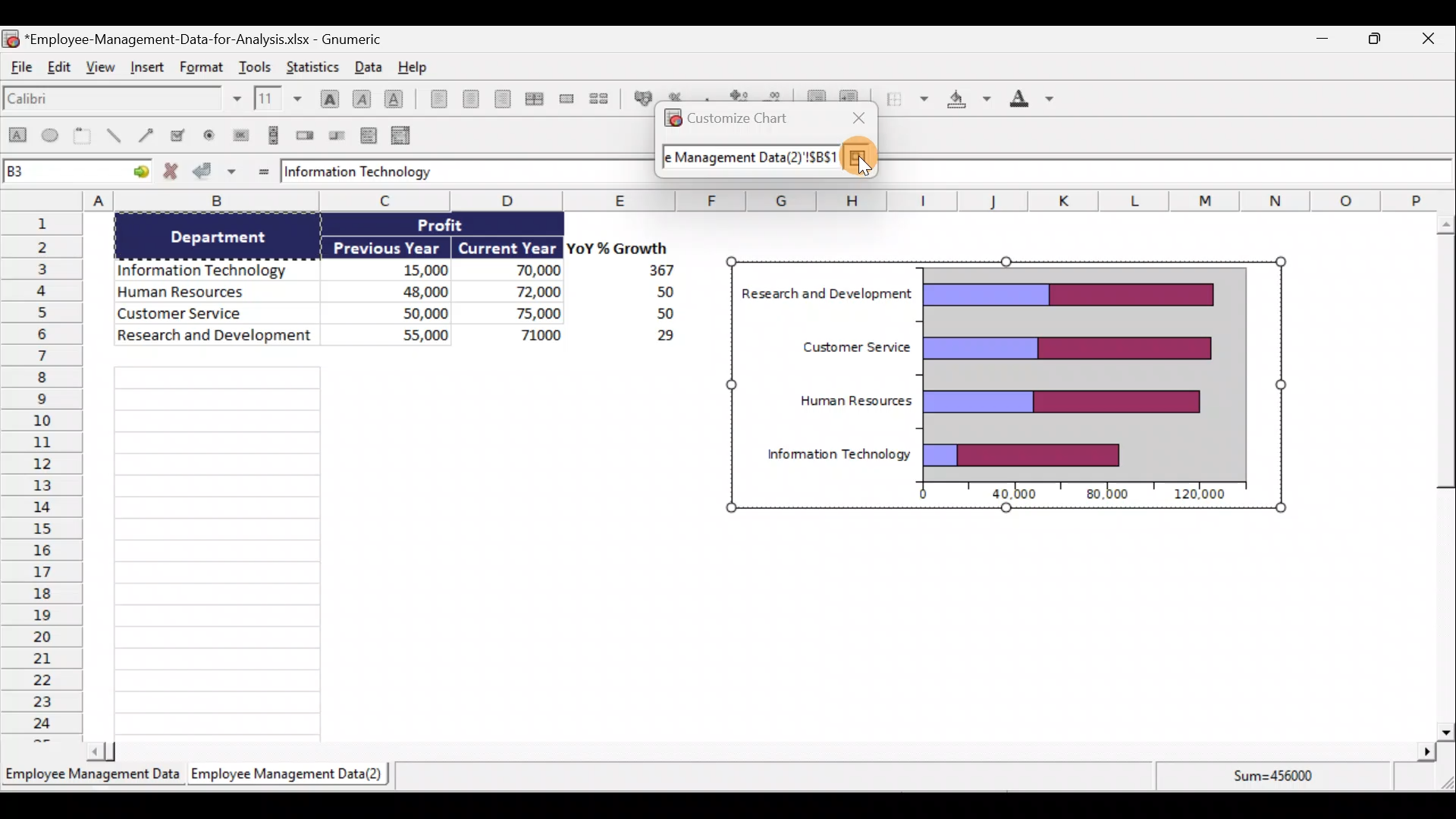 The width and height of the screenshot is (1456, 819). I want to click on Align left, so click(434, 102).